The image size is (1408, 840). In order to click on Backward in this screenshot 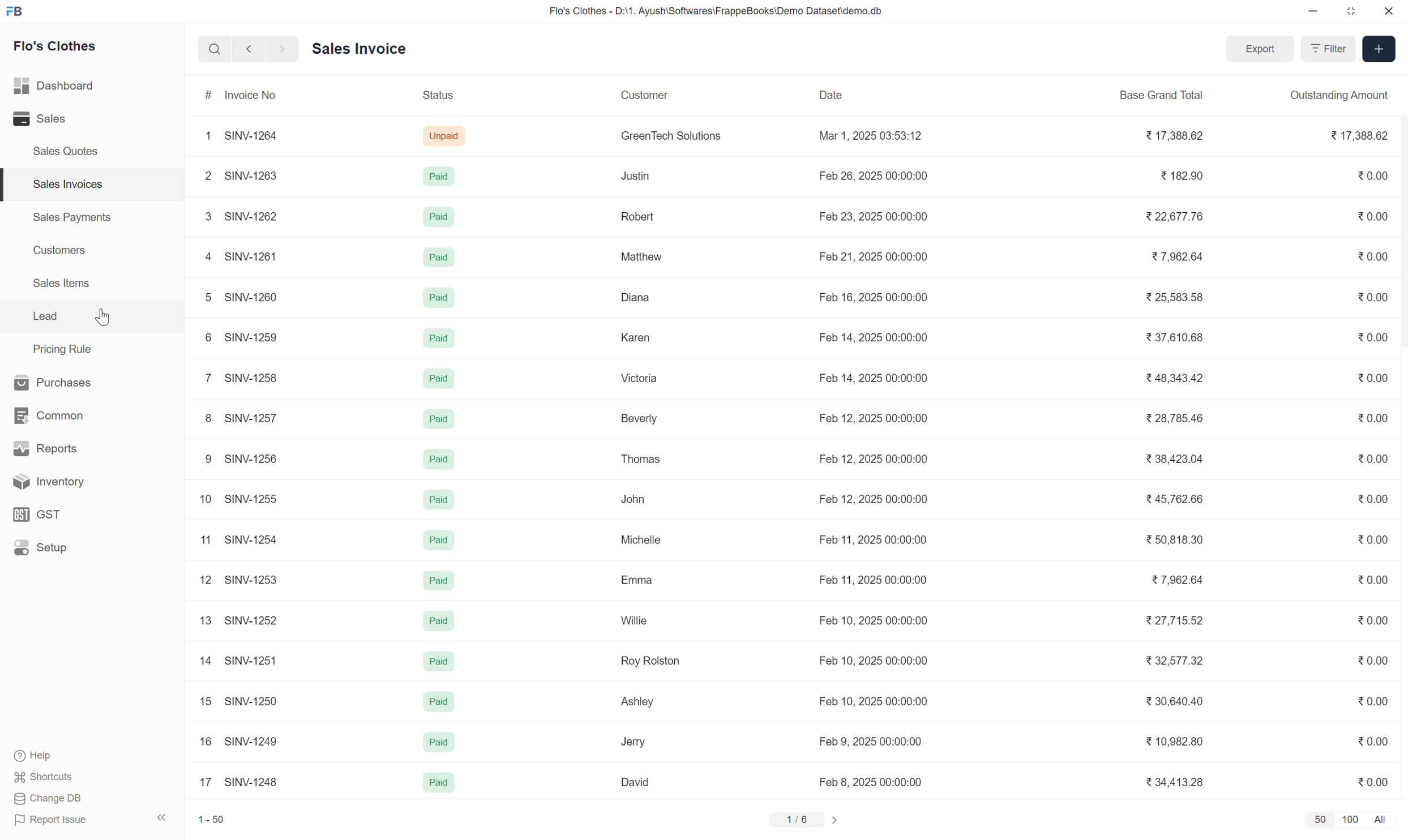, I will do `click(245, 48)`.